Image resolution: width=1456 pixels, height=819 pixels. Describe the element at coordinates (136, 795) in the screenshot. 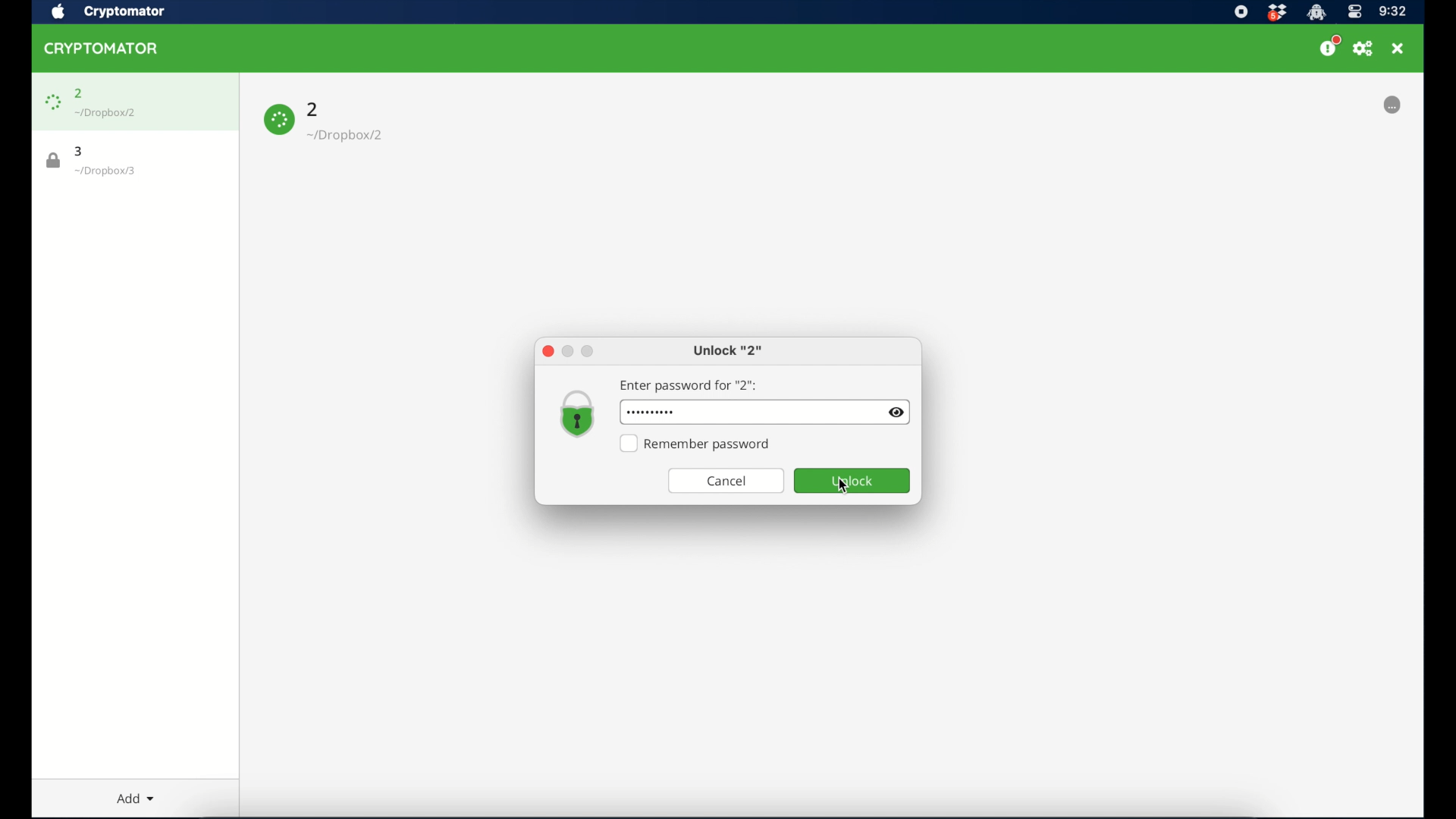

I see `Add dropdown` at that location.